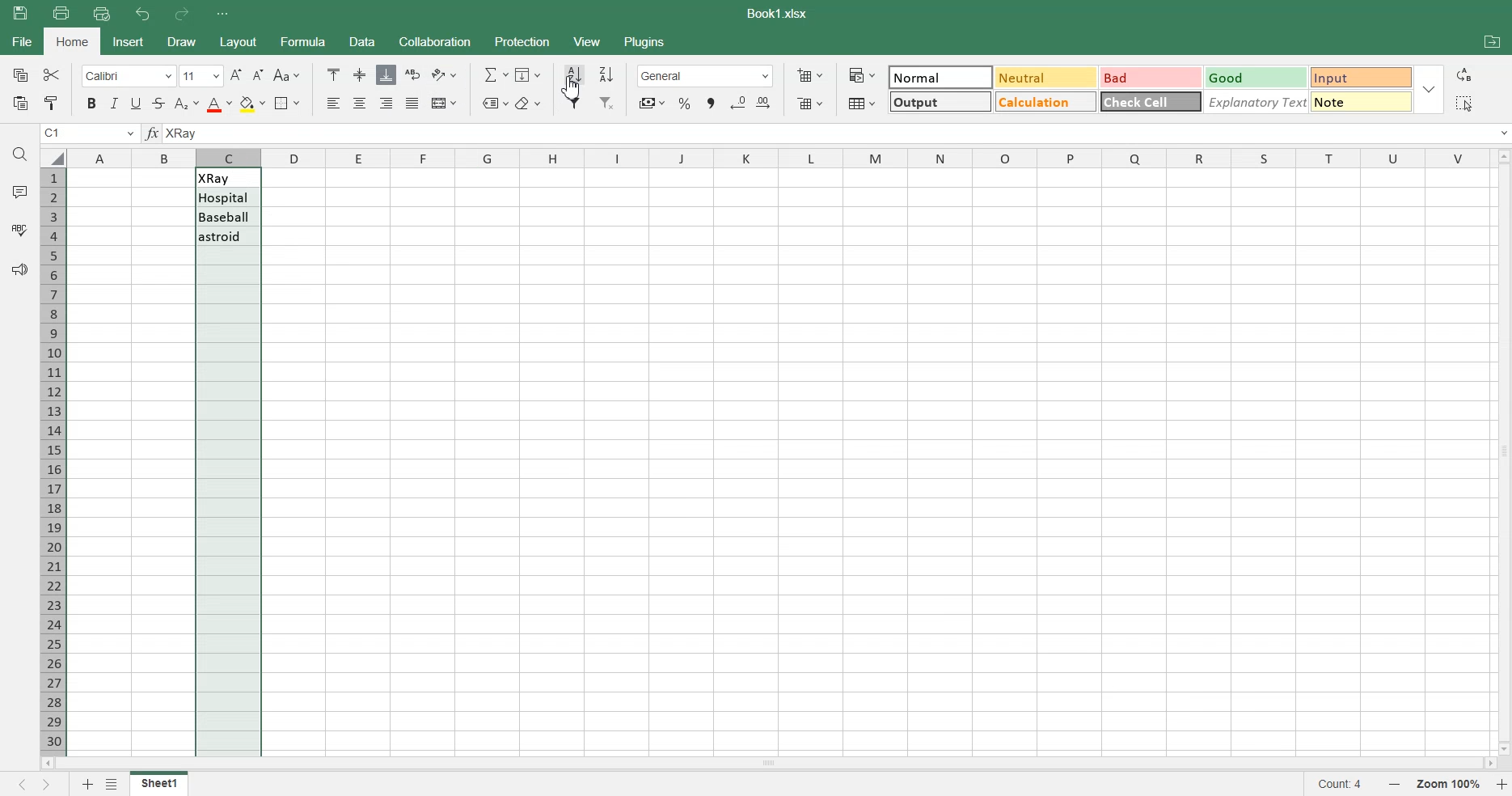  What do you see at coordinates (1346, 785) in the screenshot?
I see `count: 4` at bounding box center [1346, 785].